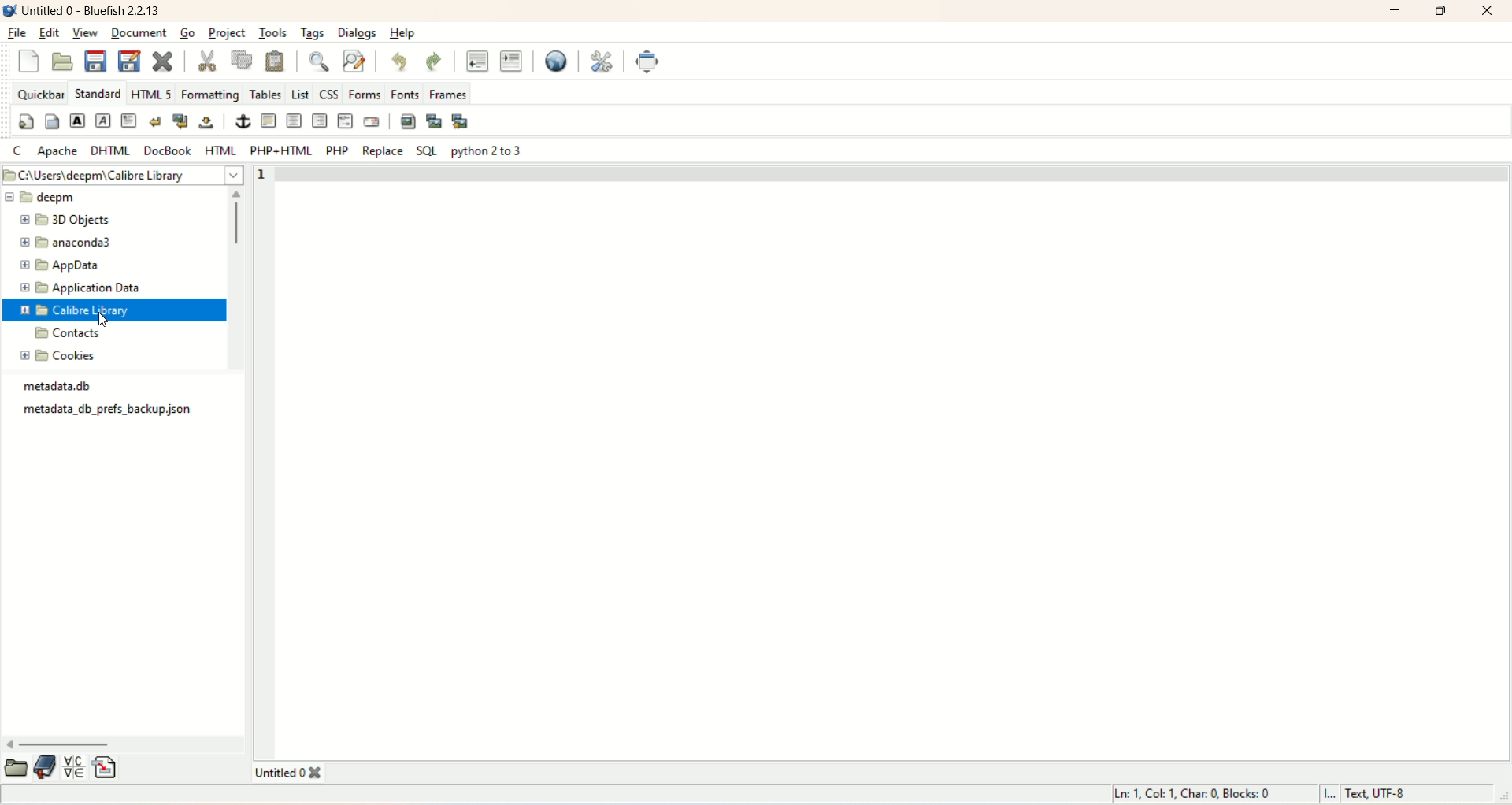 This screenshot has height=805, width=1512. I want to click on Python 2 to 3, so click(488, 152).